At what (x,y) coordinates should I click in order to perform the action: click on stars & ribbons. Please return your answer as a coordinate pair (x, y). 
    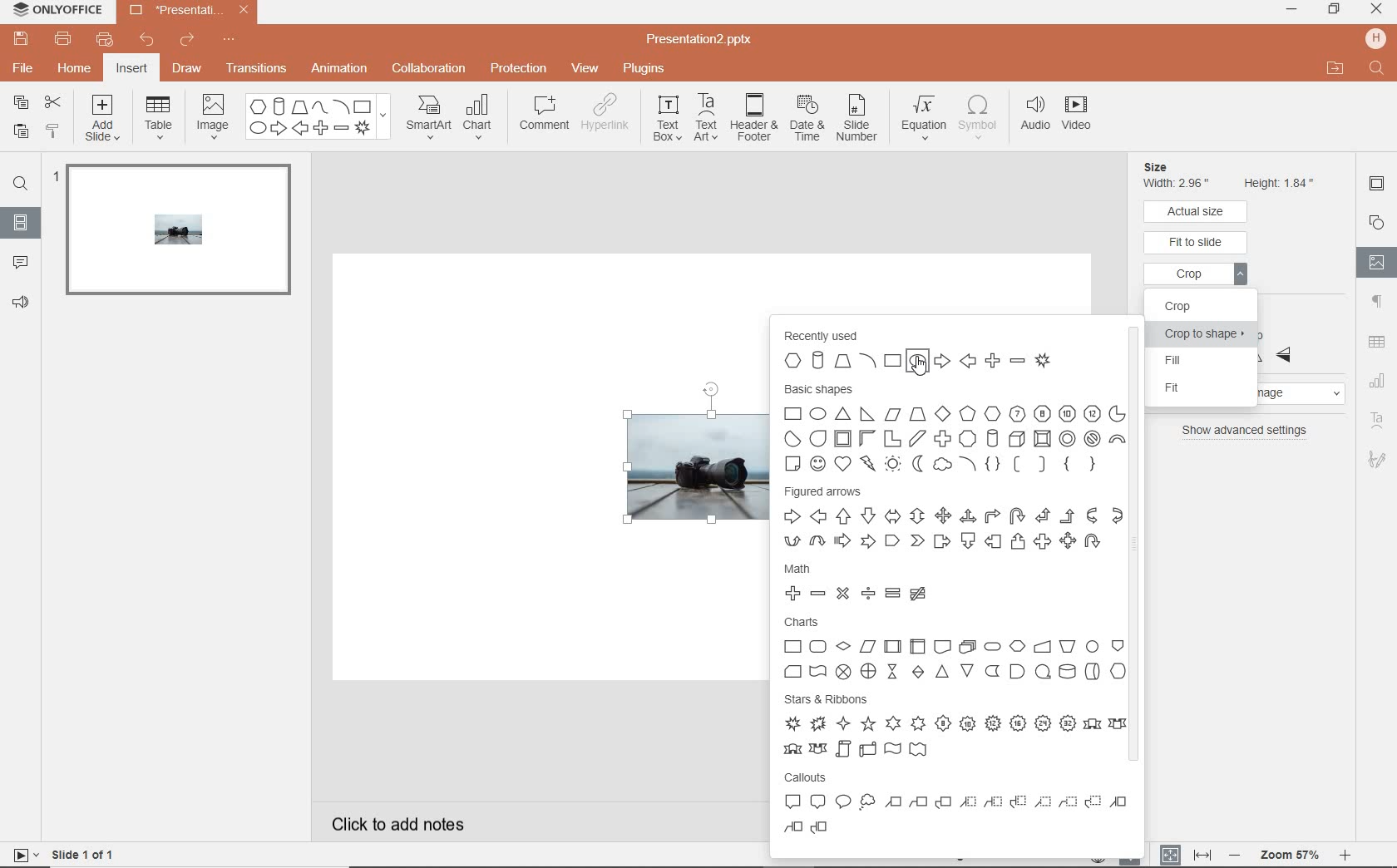
    Looking at the image, I should click on (954, 726).